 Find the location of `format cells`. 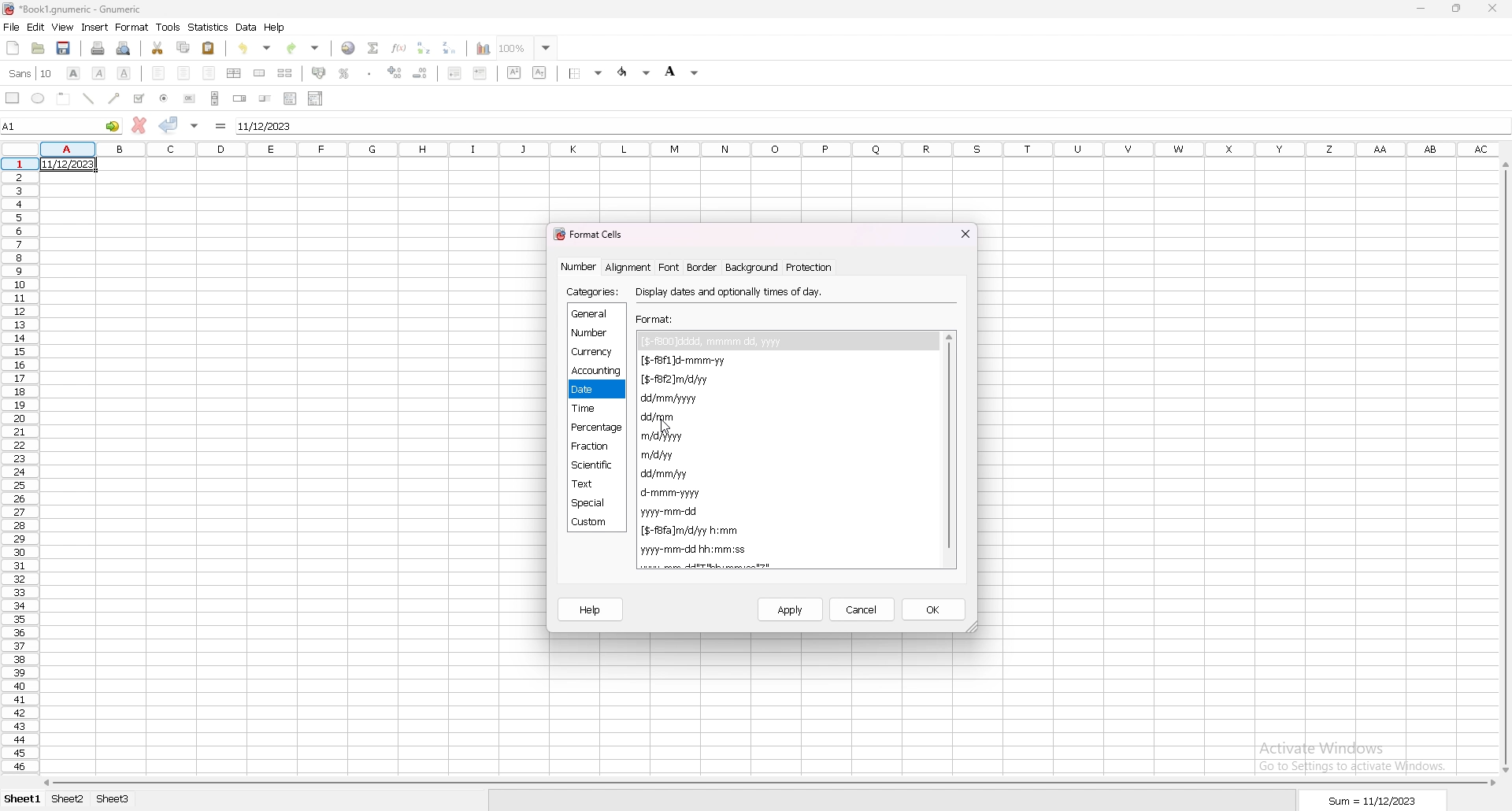

format cells is located at coordinates (592, 233).